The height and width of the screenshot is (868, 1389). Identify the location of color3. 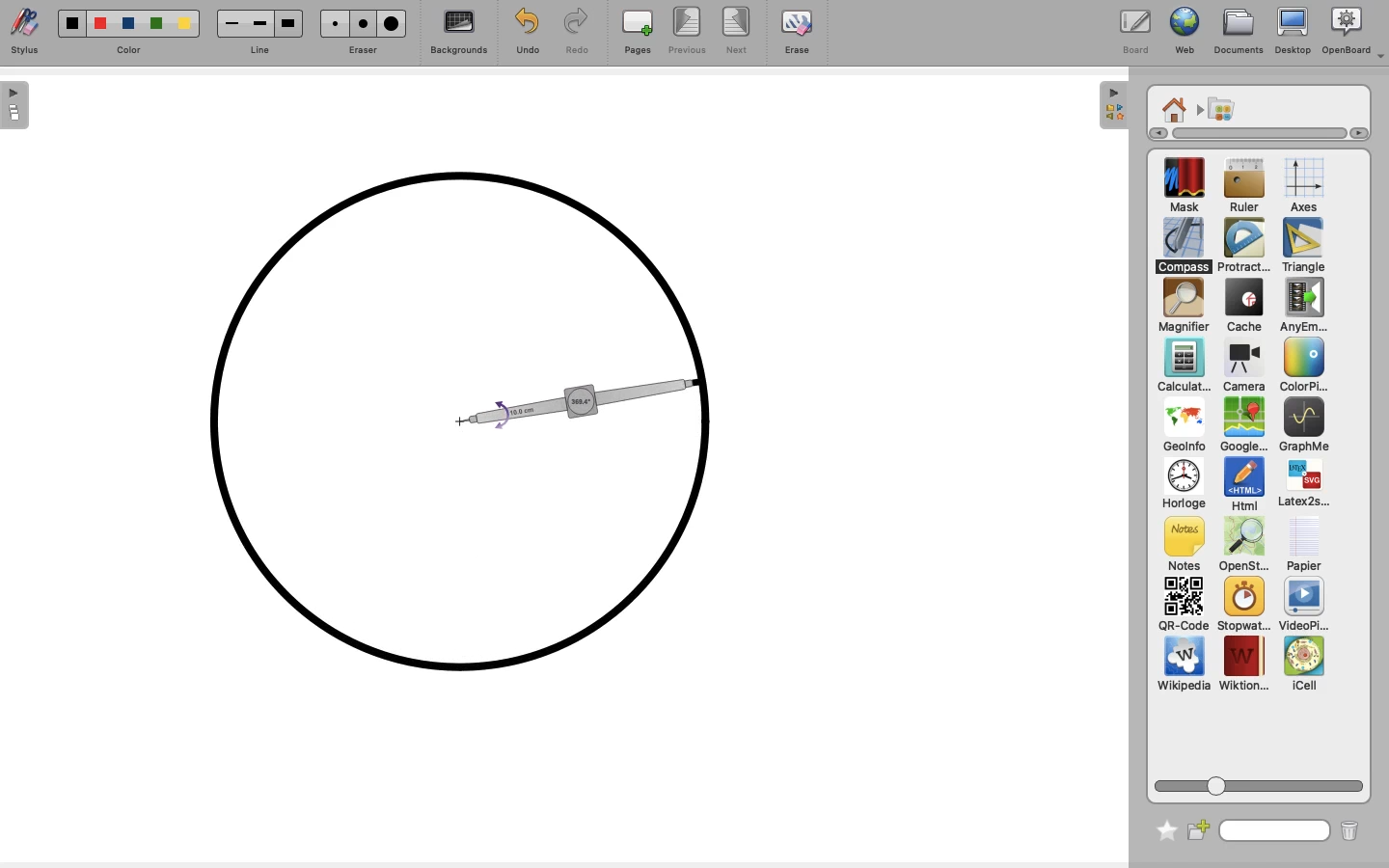
(127, 24).